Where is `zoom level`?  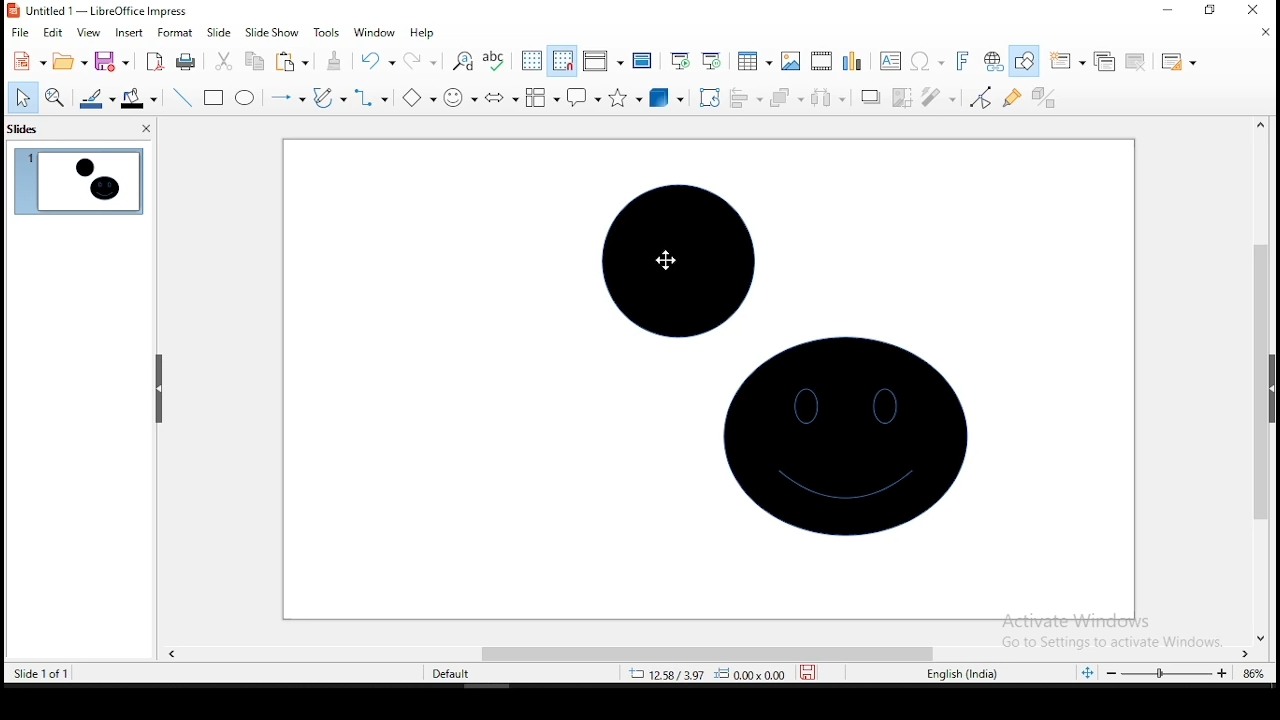
zoom level is located at coordinates (1251, 673).